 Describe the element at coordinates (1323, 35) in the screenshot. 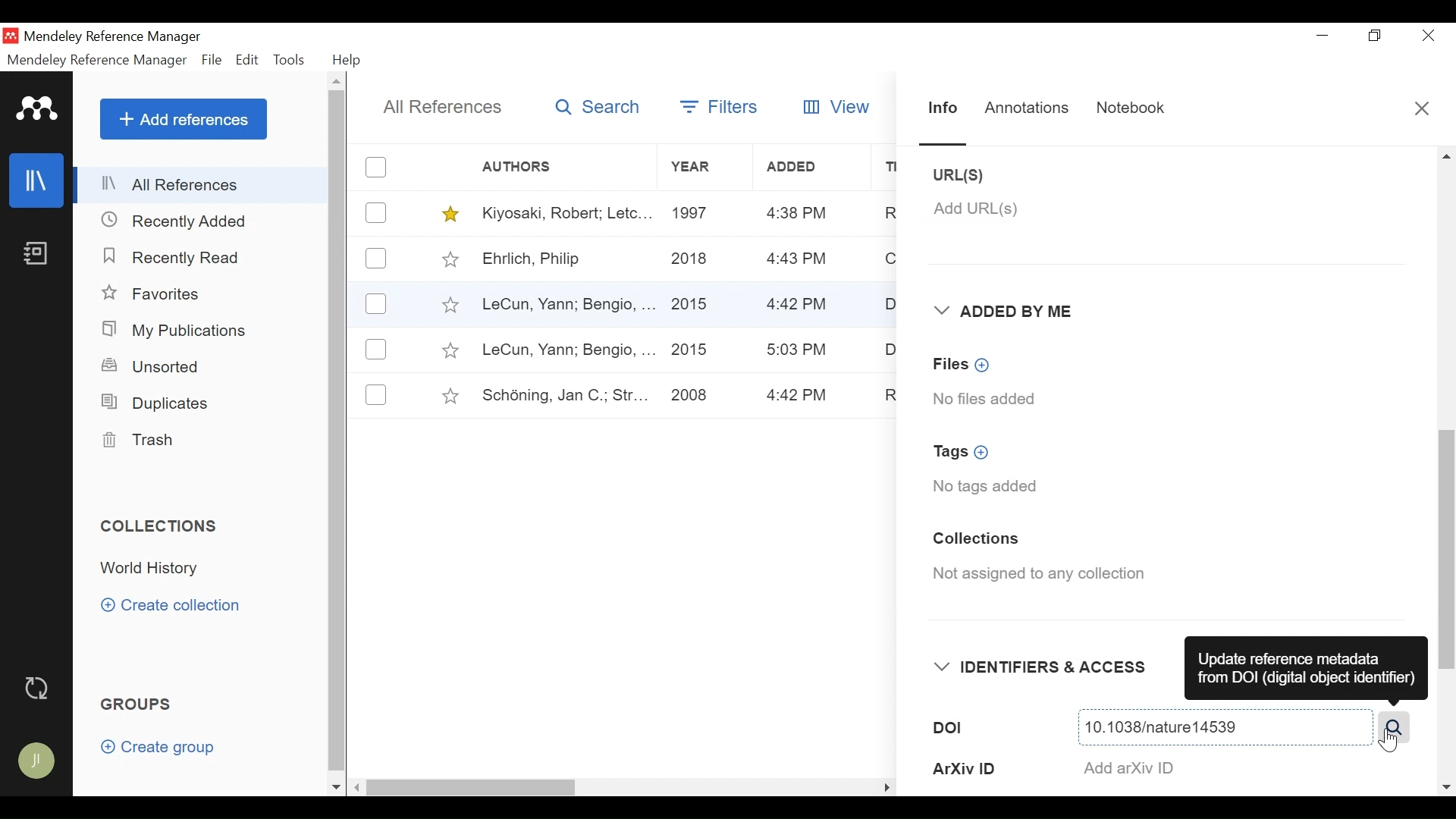

I see `minimize` at that location.